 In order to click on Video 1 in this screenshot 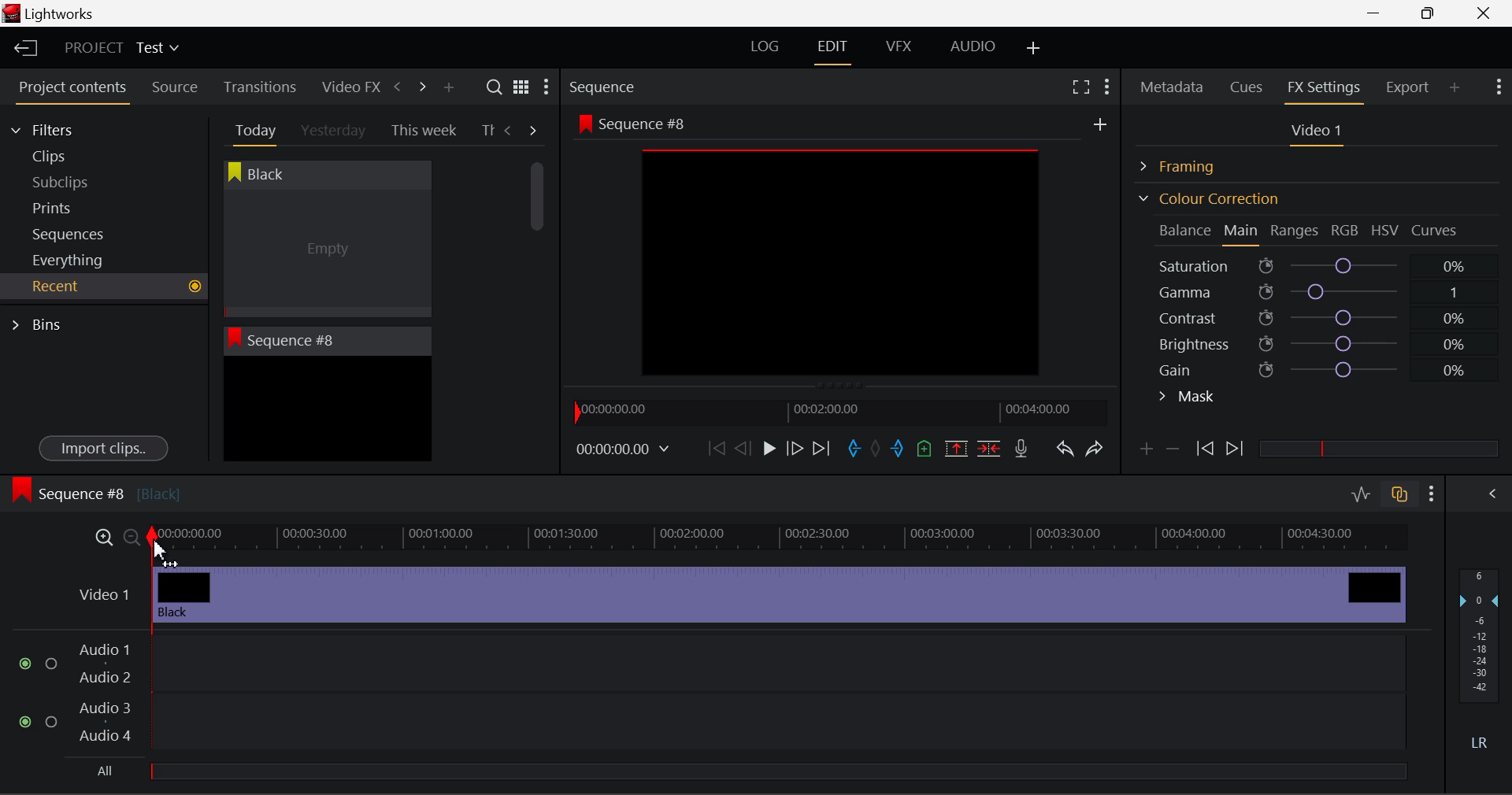, I will do `click(100, 590)`.